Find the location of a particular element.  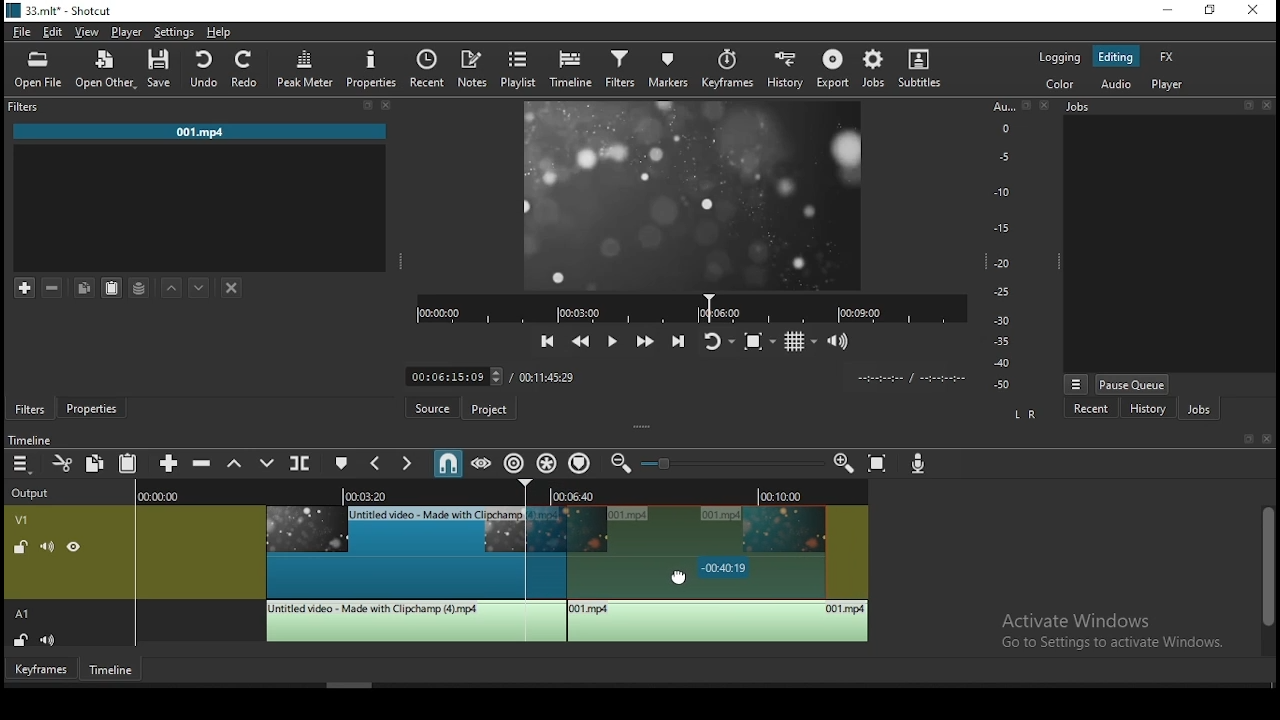

pause queue is located at coordinates (1133, 385).